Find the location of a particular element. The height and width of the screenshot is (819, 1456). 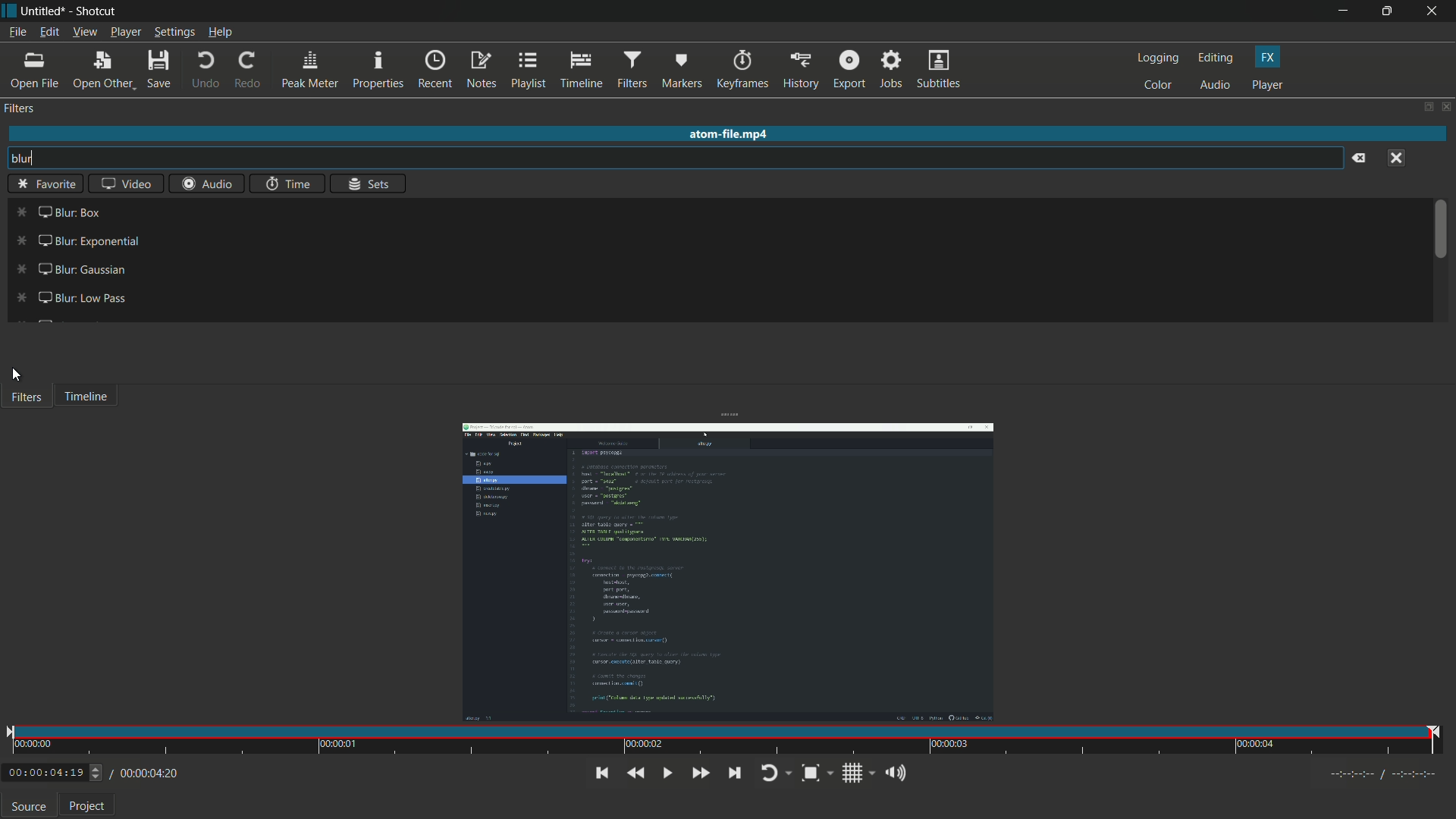

change layout is located at coordinates (1423, 106).